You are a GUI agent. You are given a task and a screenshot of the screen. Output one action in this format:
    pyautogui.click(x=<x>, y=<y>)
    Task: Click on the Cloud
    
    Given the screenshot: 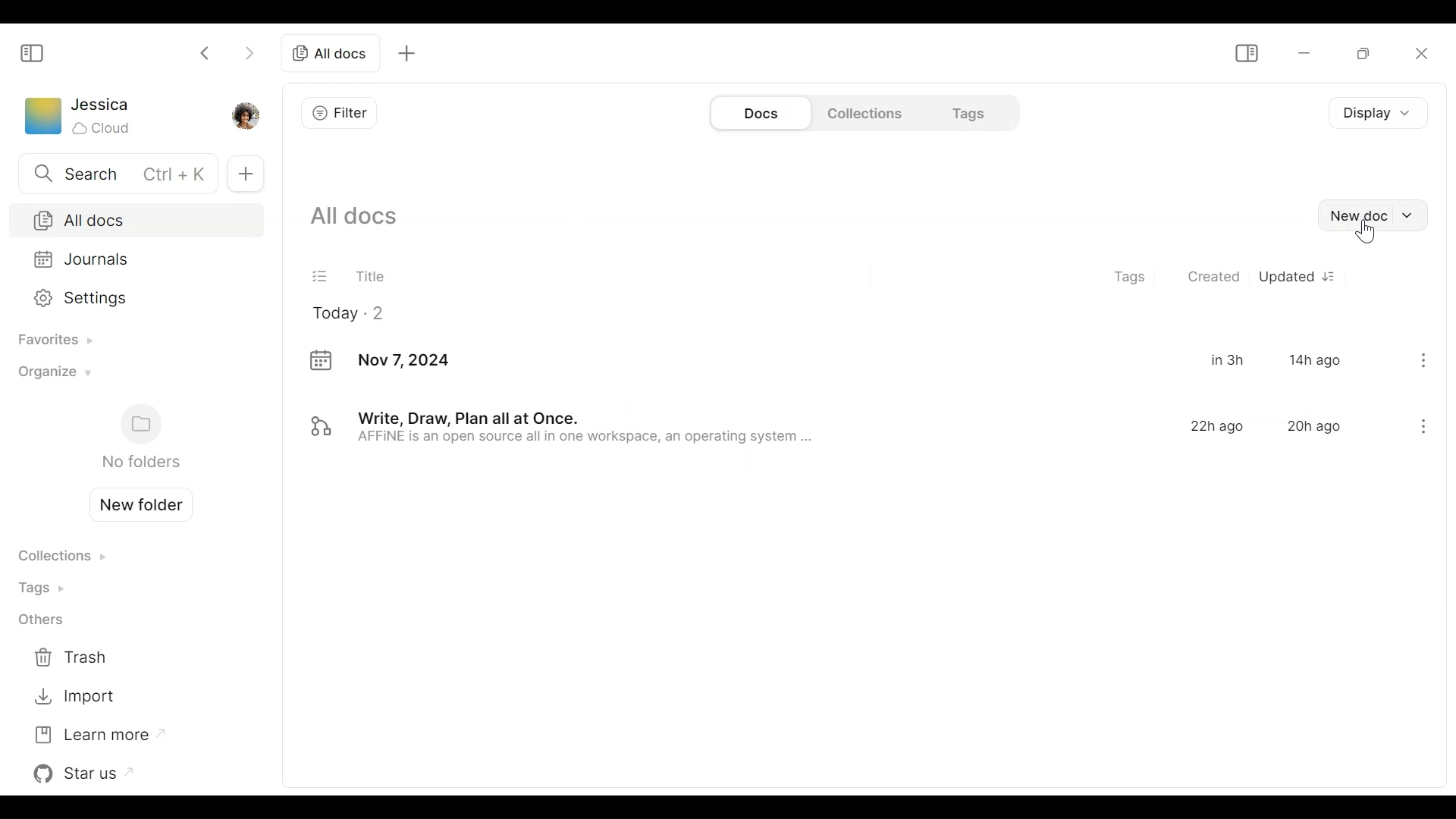 What is the action you would take?
    pyautogui.click(x=103, y=128)
    